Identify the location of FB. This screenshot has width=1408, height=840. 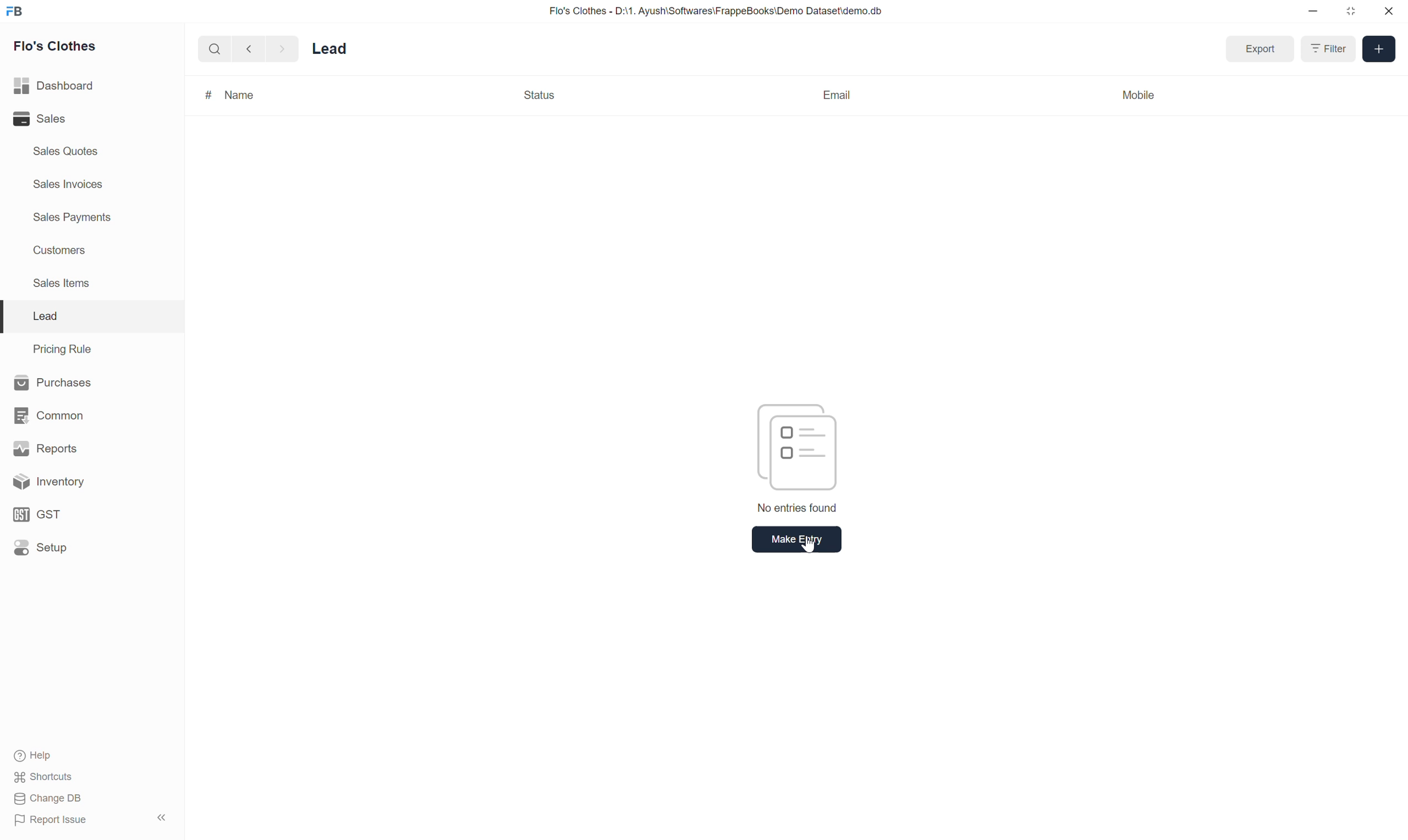
(15, 12).